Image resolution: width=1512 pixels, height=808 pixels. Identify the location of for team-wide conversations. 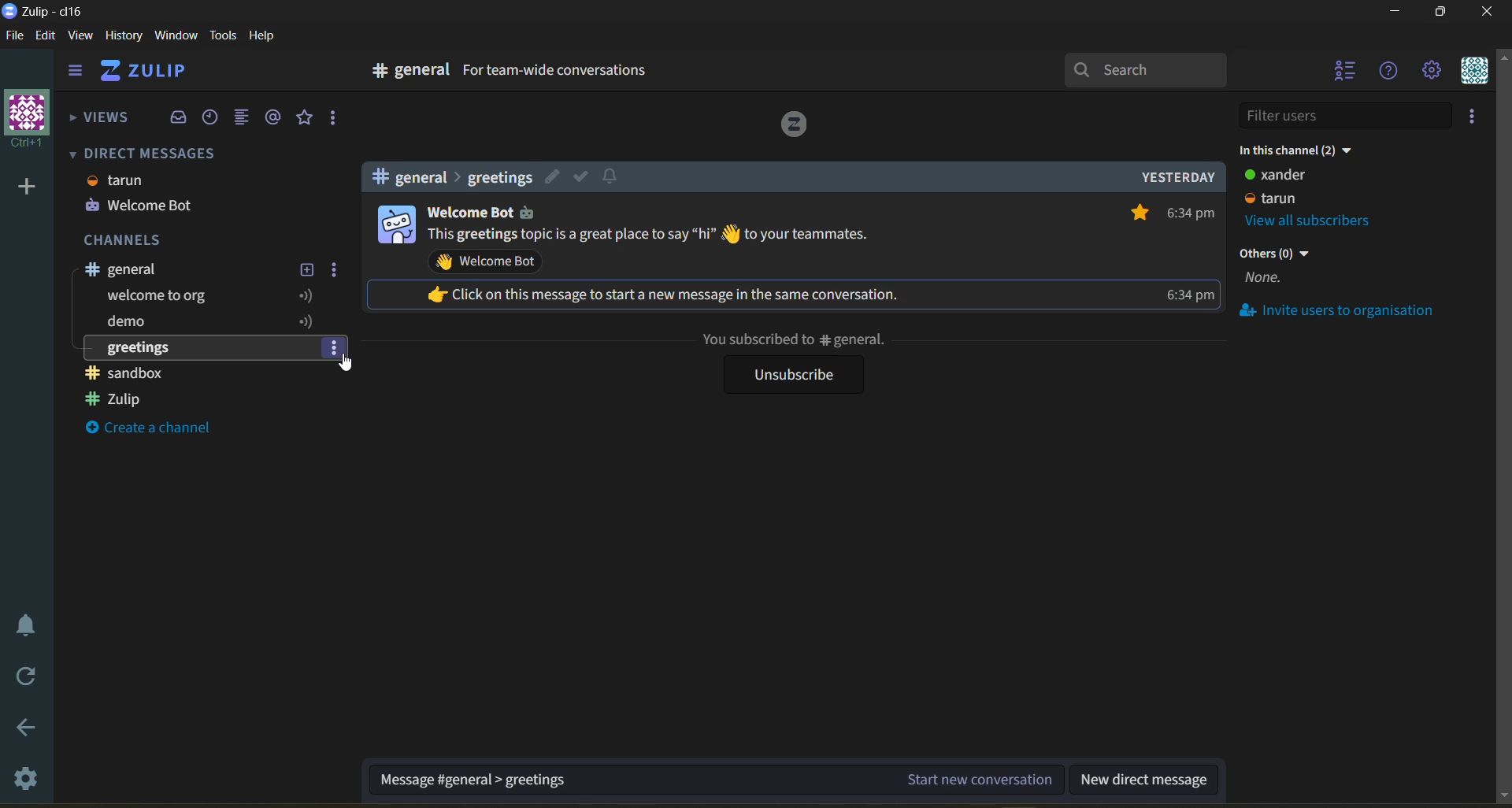
(558, 72).